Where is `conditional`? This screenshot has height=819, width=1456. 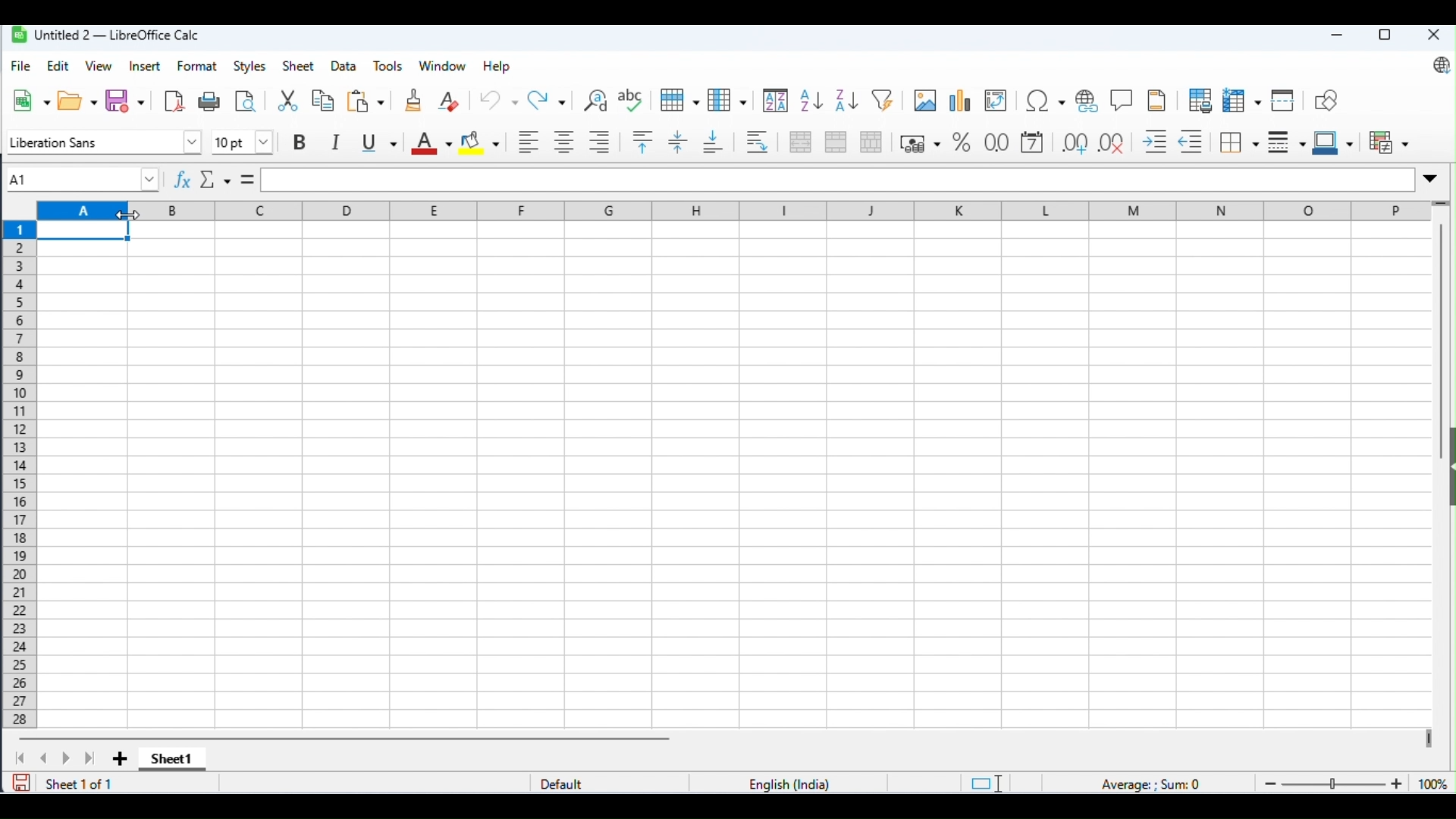 conditional is located at coordinates (1387, 140).